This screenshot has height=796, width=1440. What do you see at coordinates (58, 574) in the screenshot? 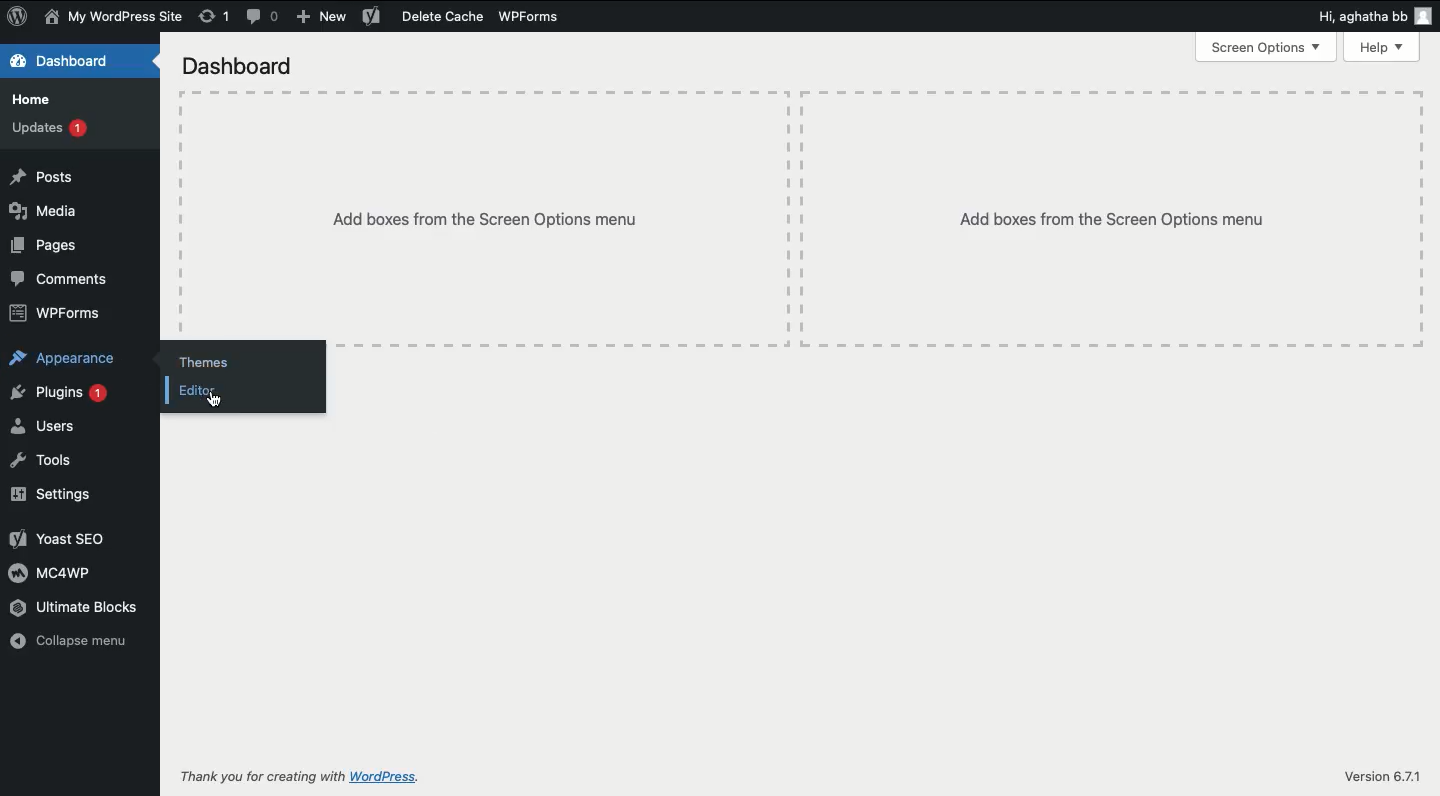
I see `MC4wp` at bounding box center [58, 574].